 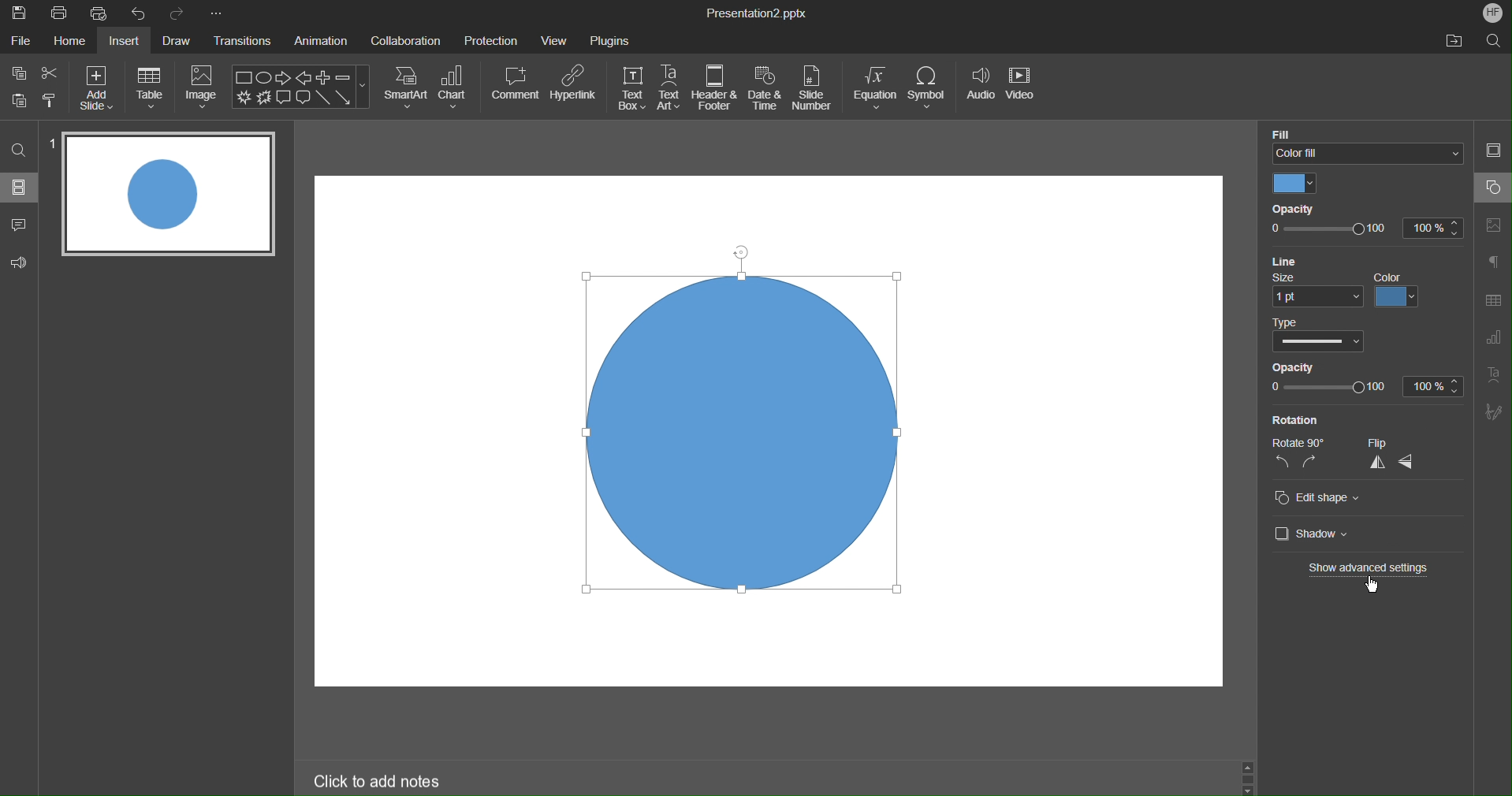 What do you see at coordinates (406, 39) in the screenshot?
I see `Collaboration` at bounding box center [406, 39].